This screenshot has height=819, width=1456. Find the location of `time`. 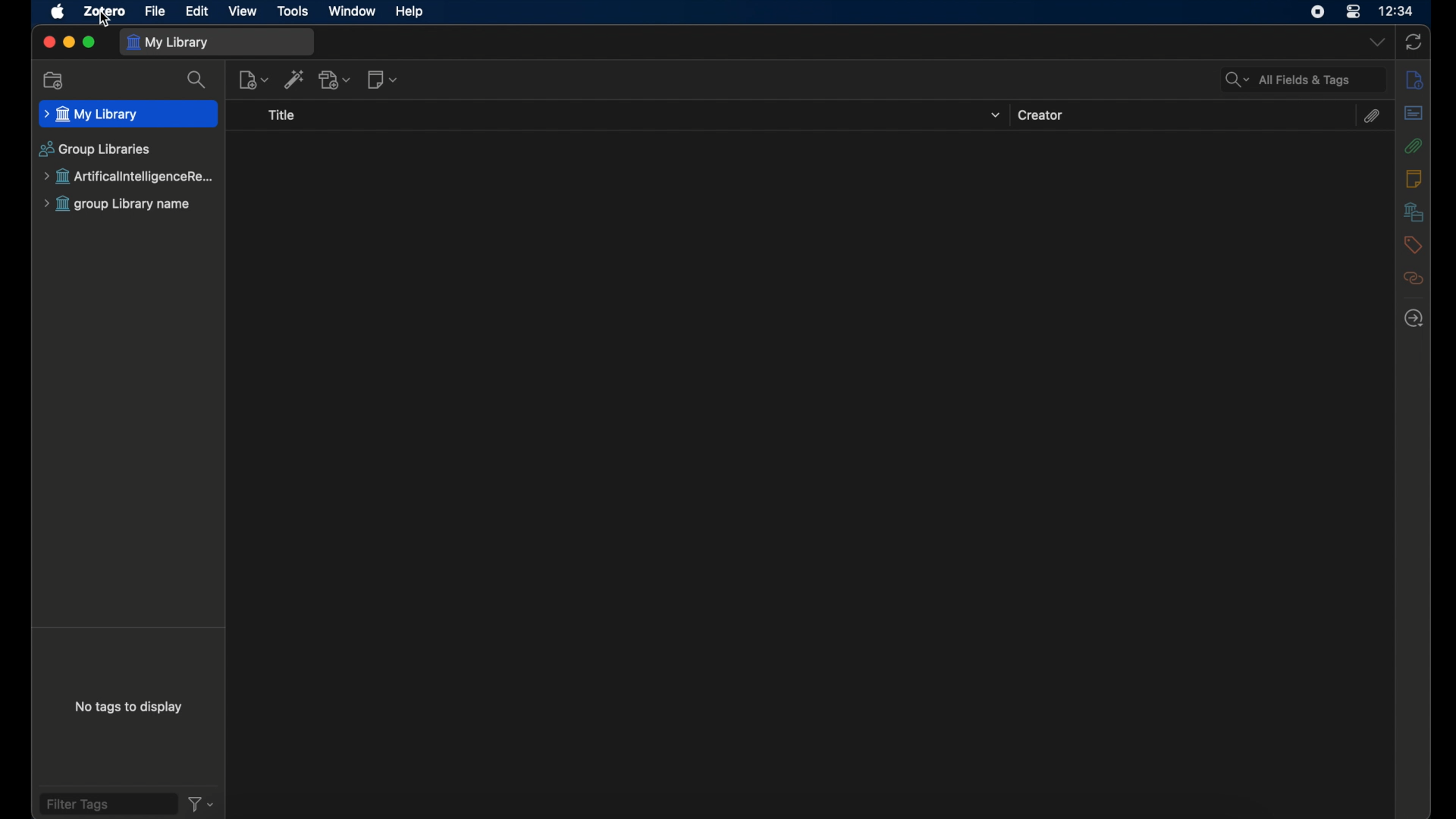

time is located at coordinates (1397, 11).